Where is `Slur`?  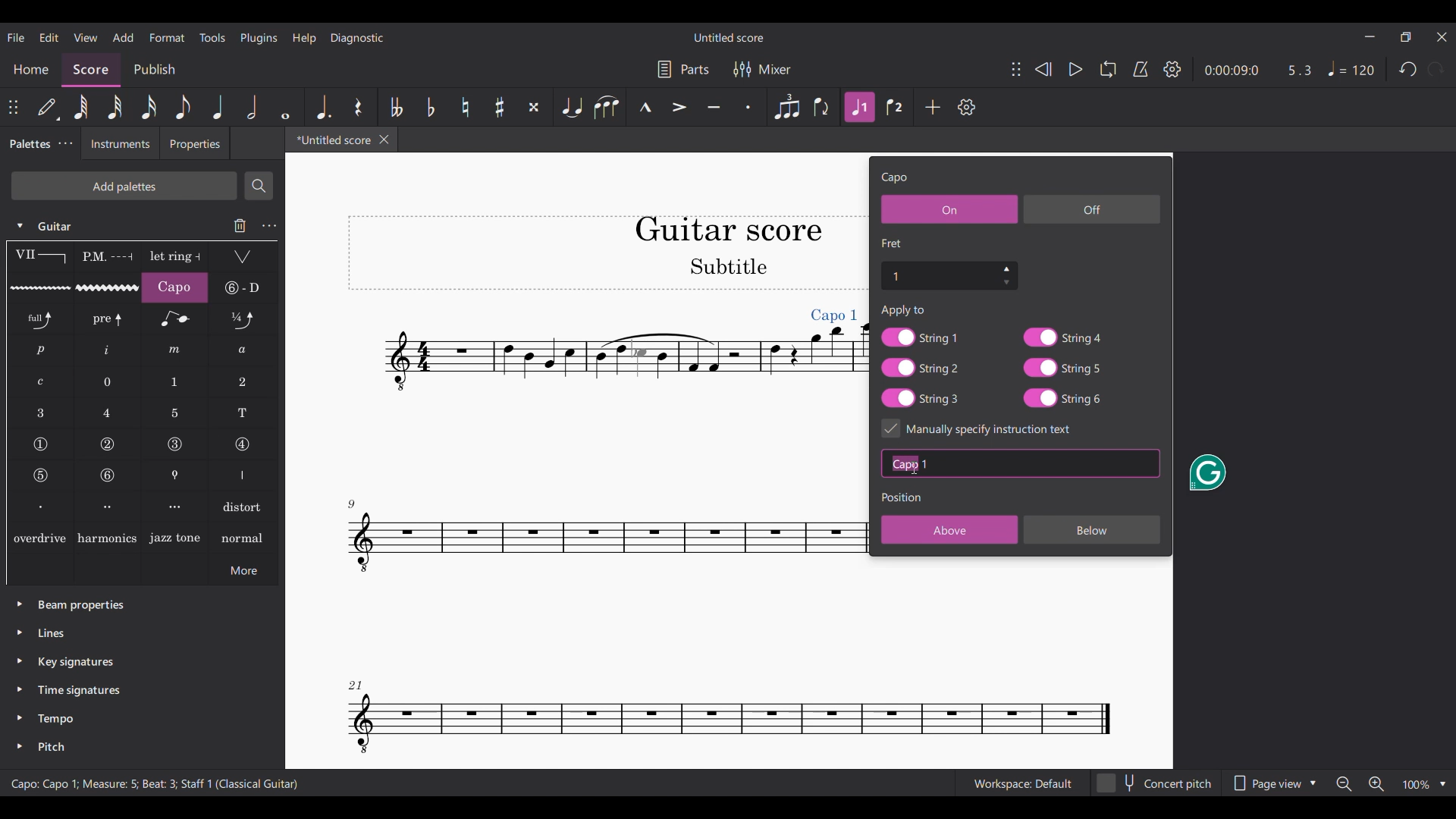 Slur is located at coordinates (606, 107).